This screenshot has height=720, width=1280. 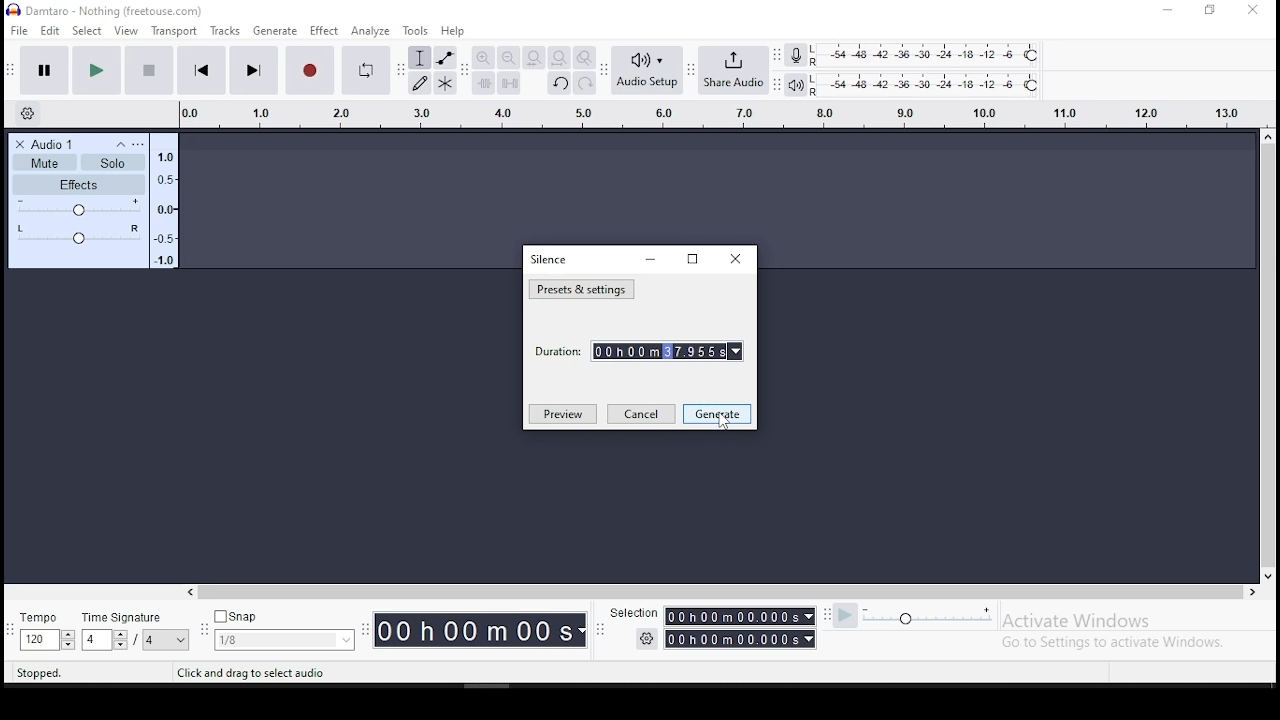 I want to click on Audio tracker, so click(x=165, y=201).